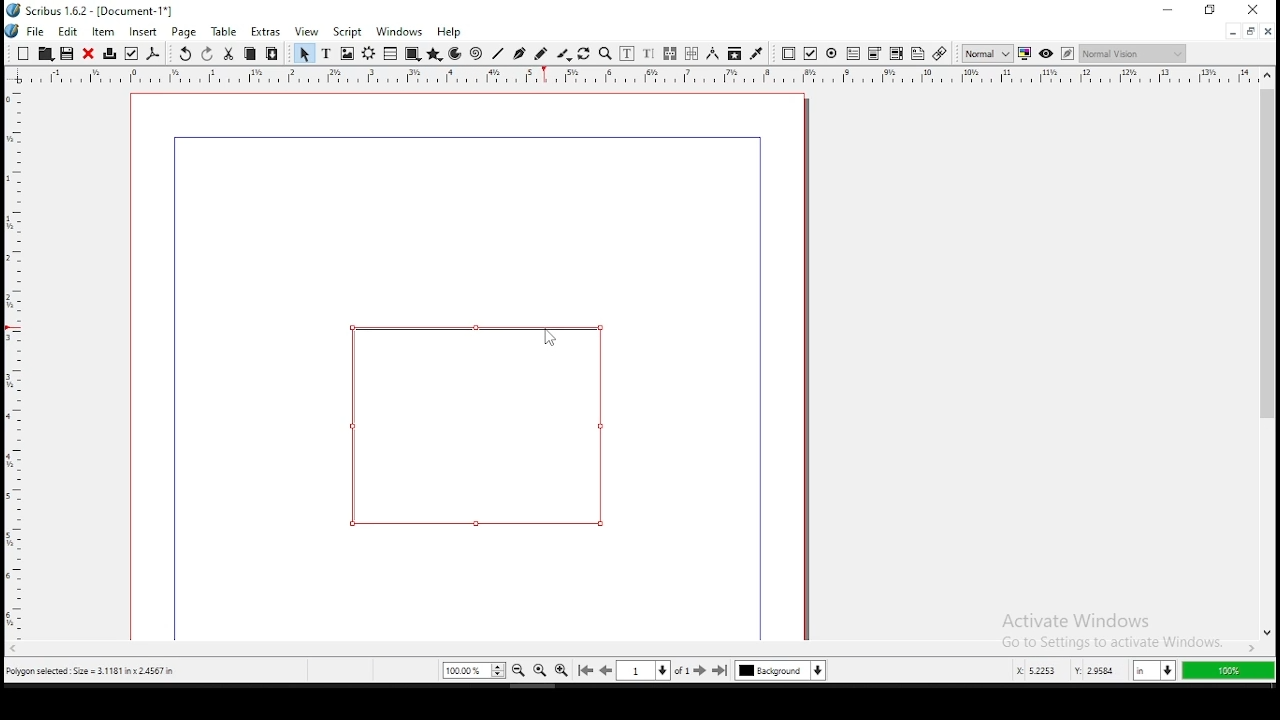  Describe the element at coordinates (13, 352) in the screenshot. I see `horizontal ruler` at that location.